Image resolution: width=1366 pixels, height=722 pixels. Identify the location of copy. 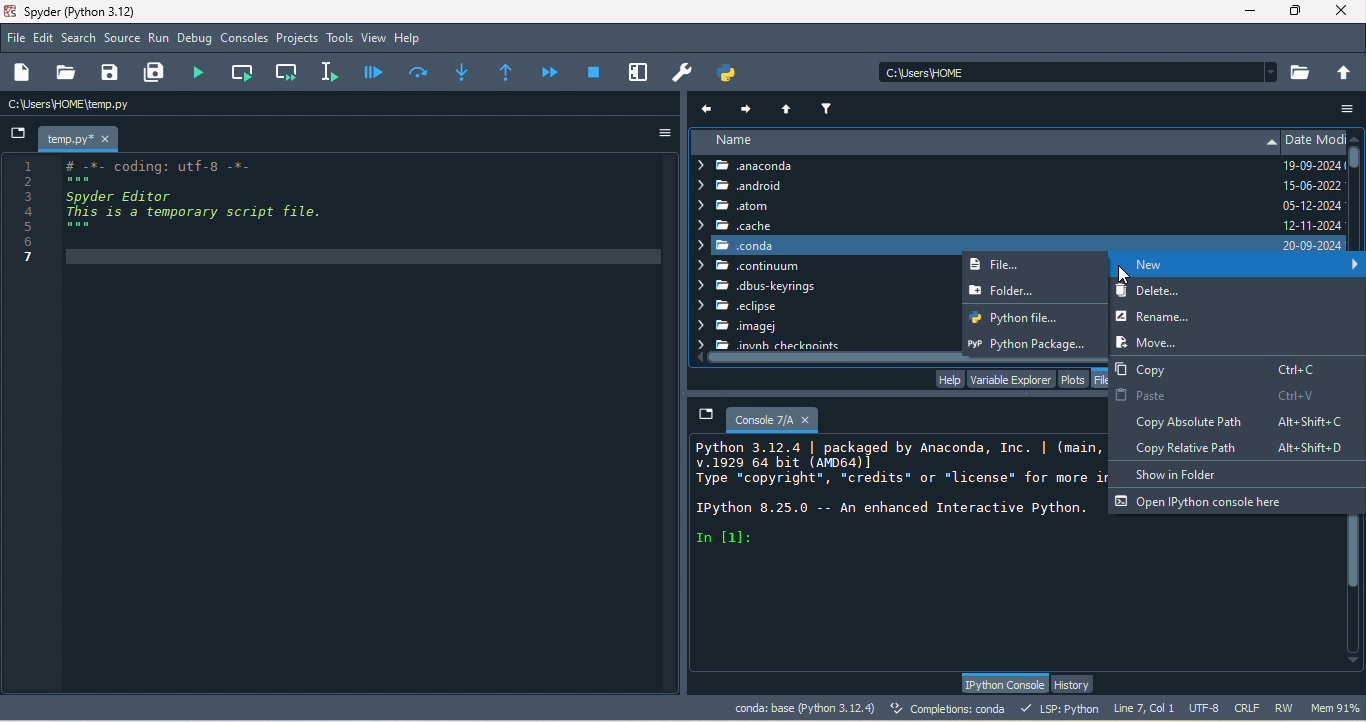
(1220, 367).